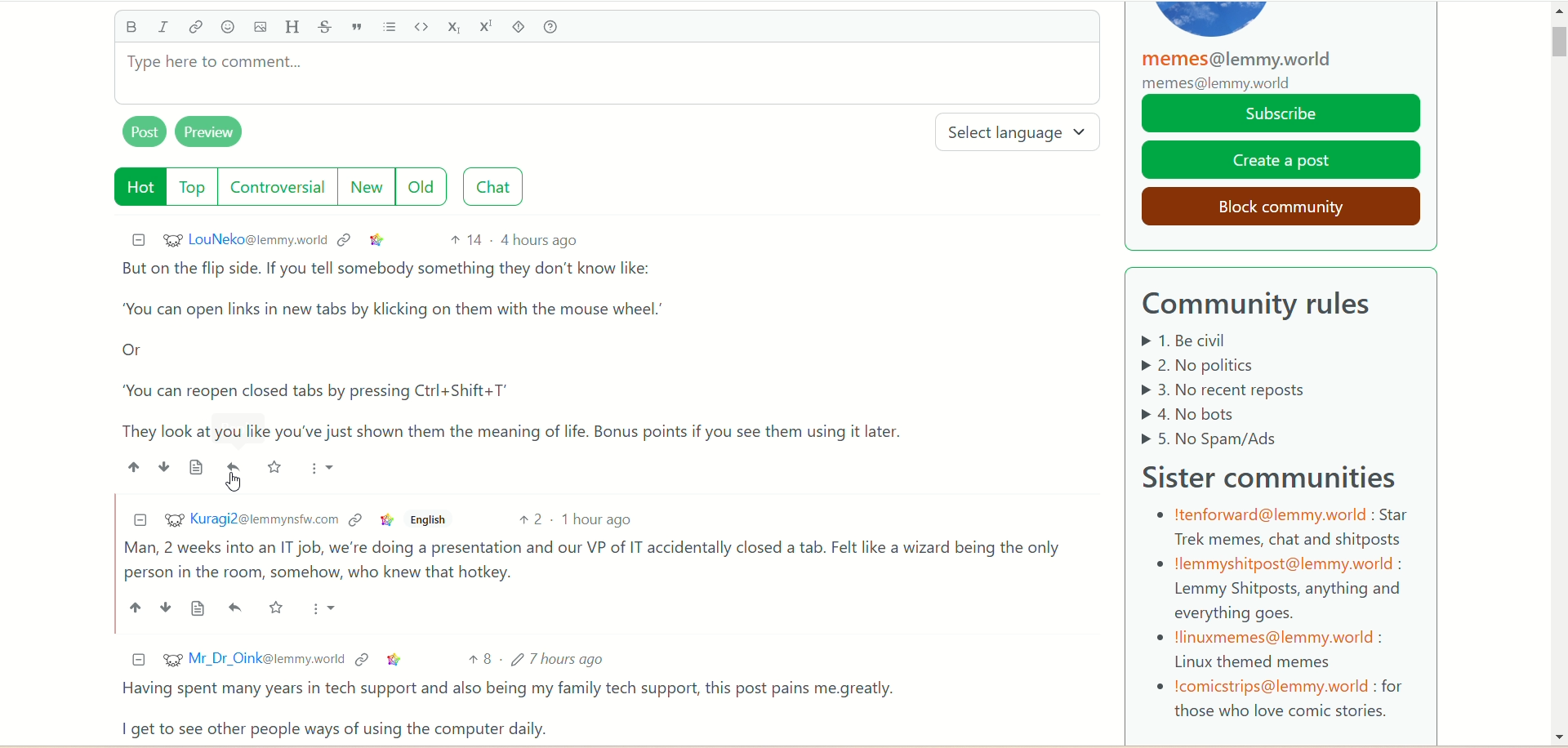 The width and height of the screenshot is (1568, 748). Describe the element at coordinates (247, 520) in the screenshot. I see `username` at that location.